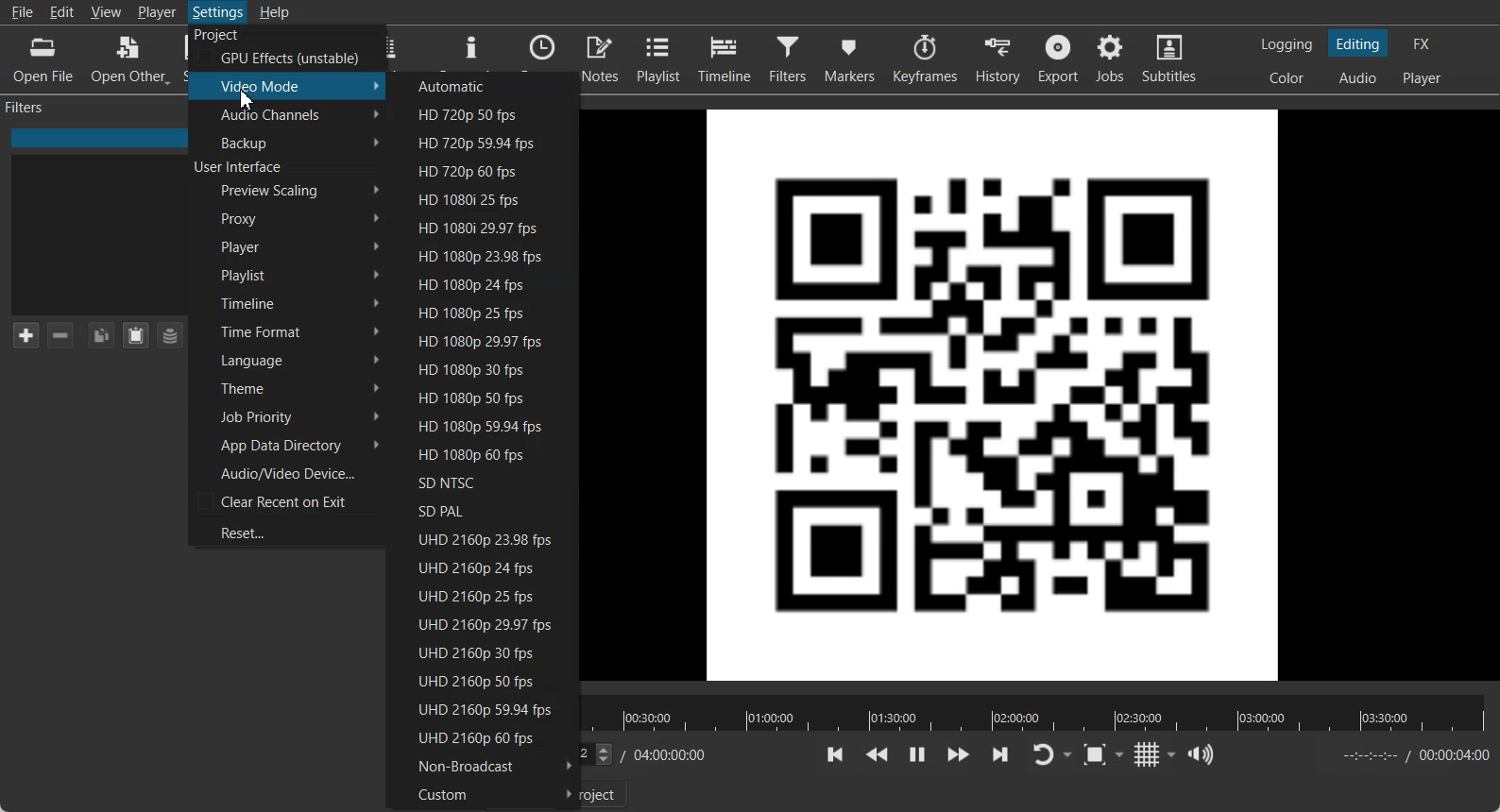 The height and width of the screenshot is (812, 1500). I want to click on HD 1080p 24 fps, so click(478, 282).